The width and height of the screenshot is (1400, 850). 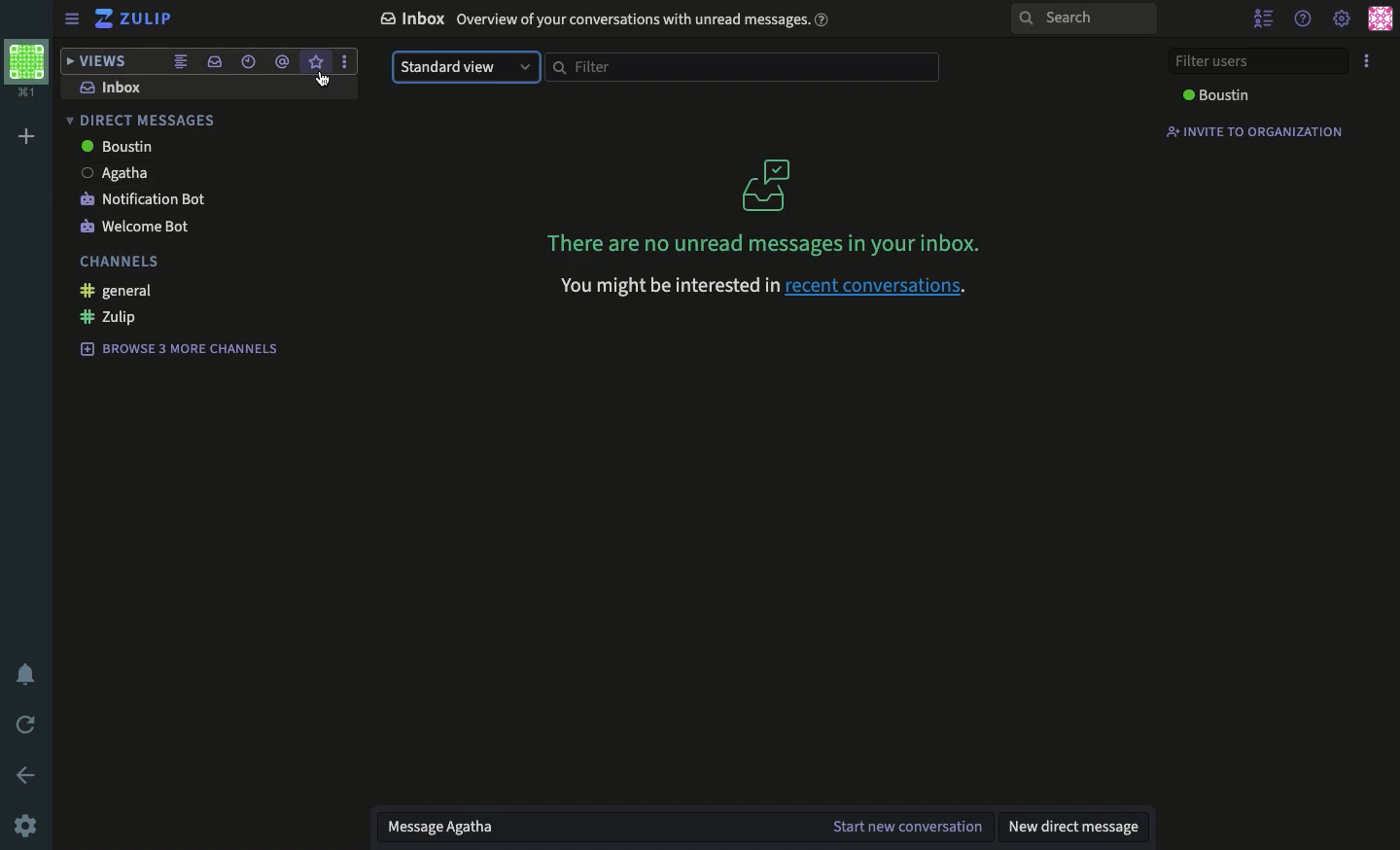 What do you see at coordinates (131, 18) in the screenshot?
I see `zulip` at bounding box center [131, 18].